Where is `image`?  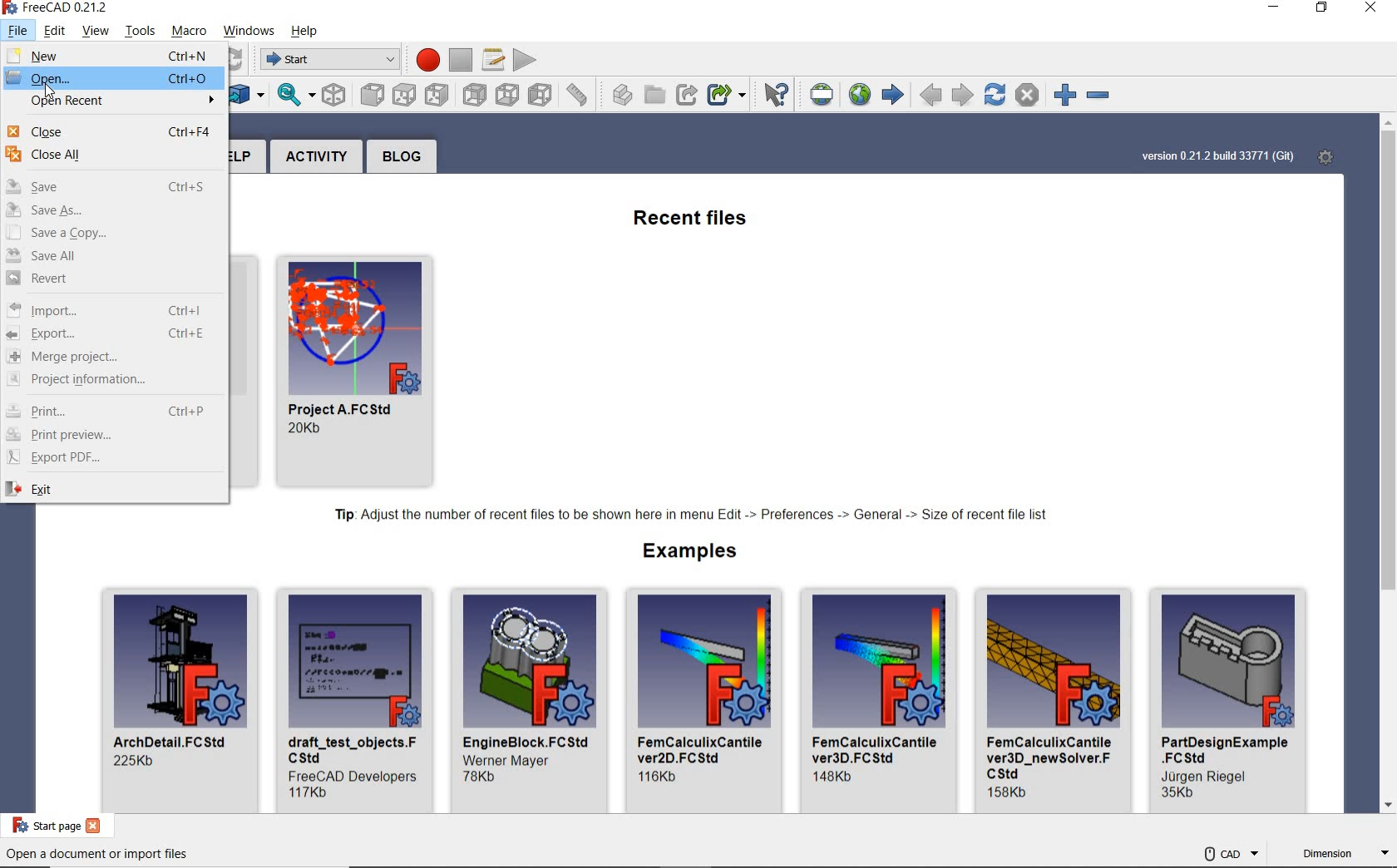 image is located at coordinates (705, 660).